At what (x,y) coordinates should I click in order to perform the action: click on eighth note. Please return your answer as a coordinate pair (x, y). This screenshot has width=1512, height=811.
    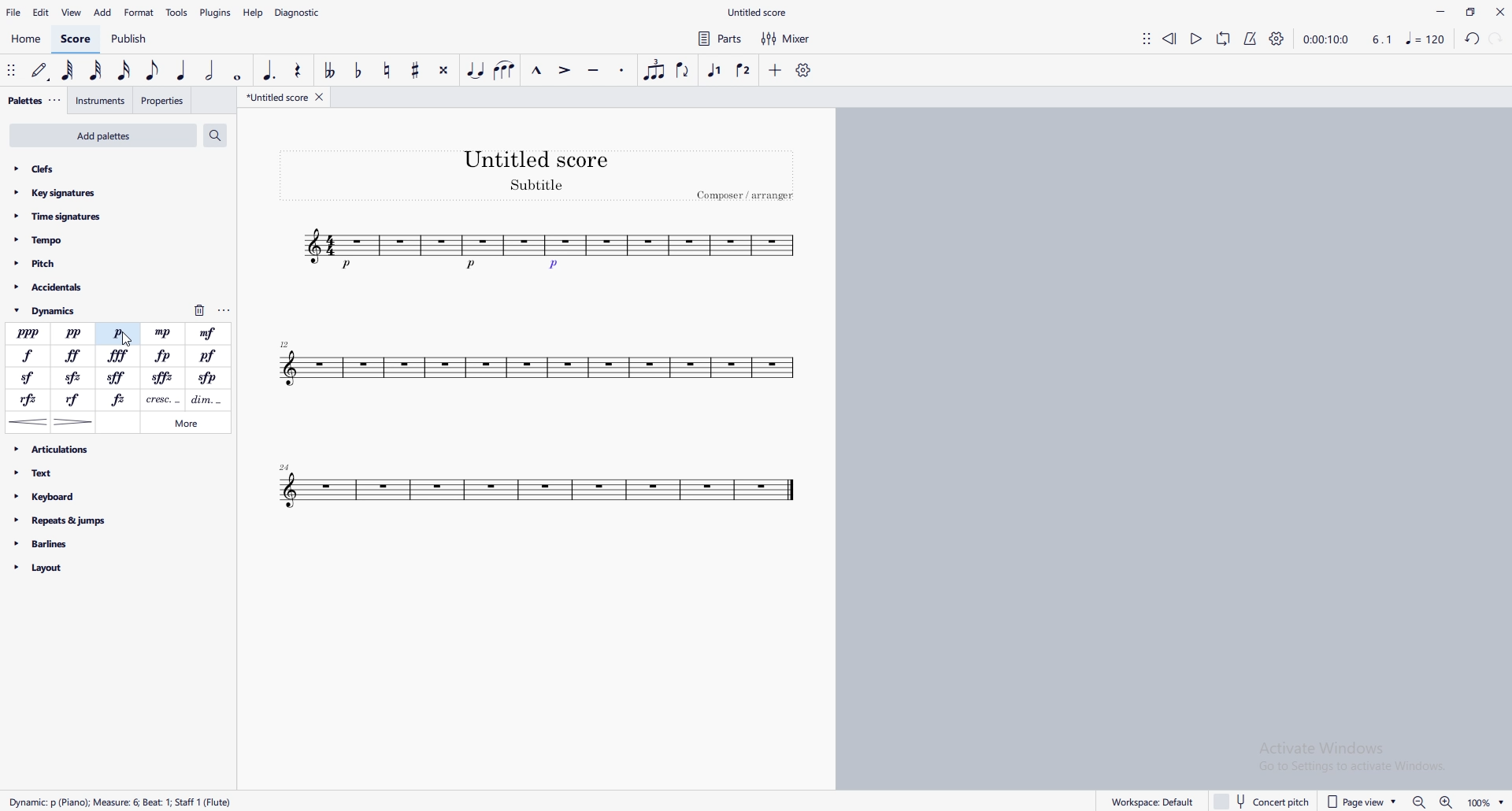
    Looking at the image, I should click on (154, 70).